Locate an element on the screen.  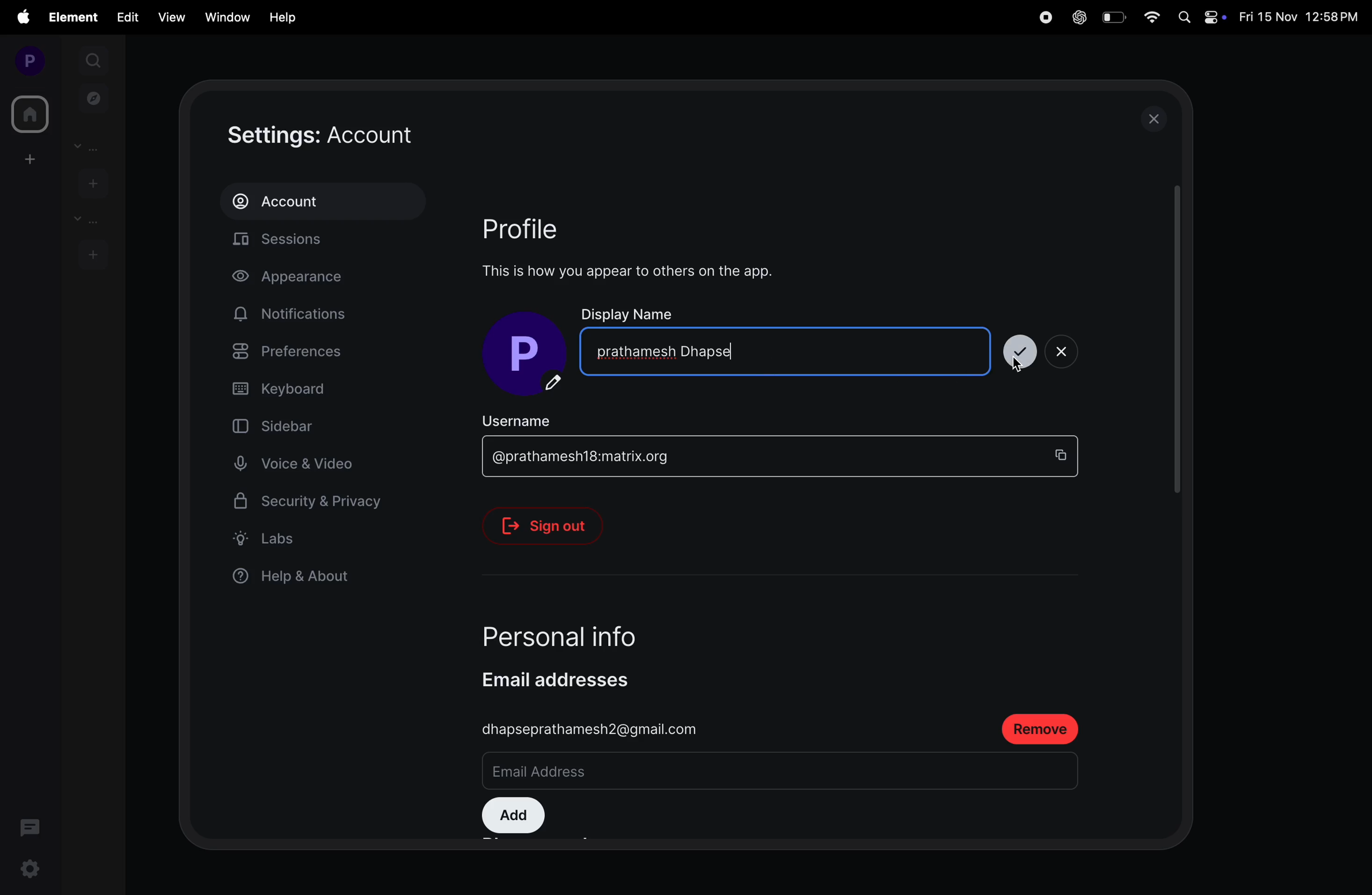
apply is located at coordinates (1023, 349).